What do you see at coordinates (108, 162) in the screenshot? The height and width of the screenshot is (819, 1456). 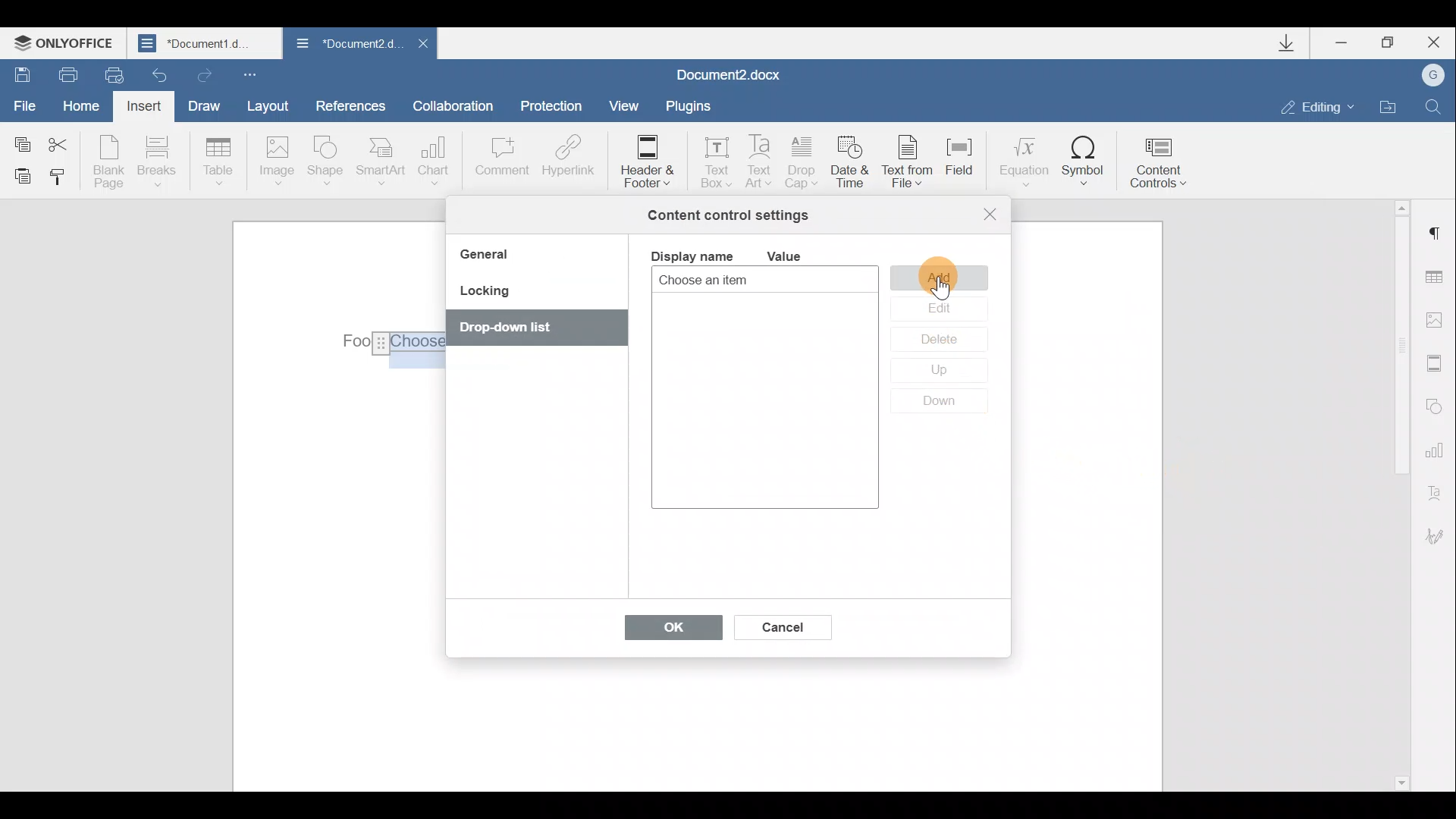 I see `Blank page` at bounding box center [108, 162].